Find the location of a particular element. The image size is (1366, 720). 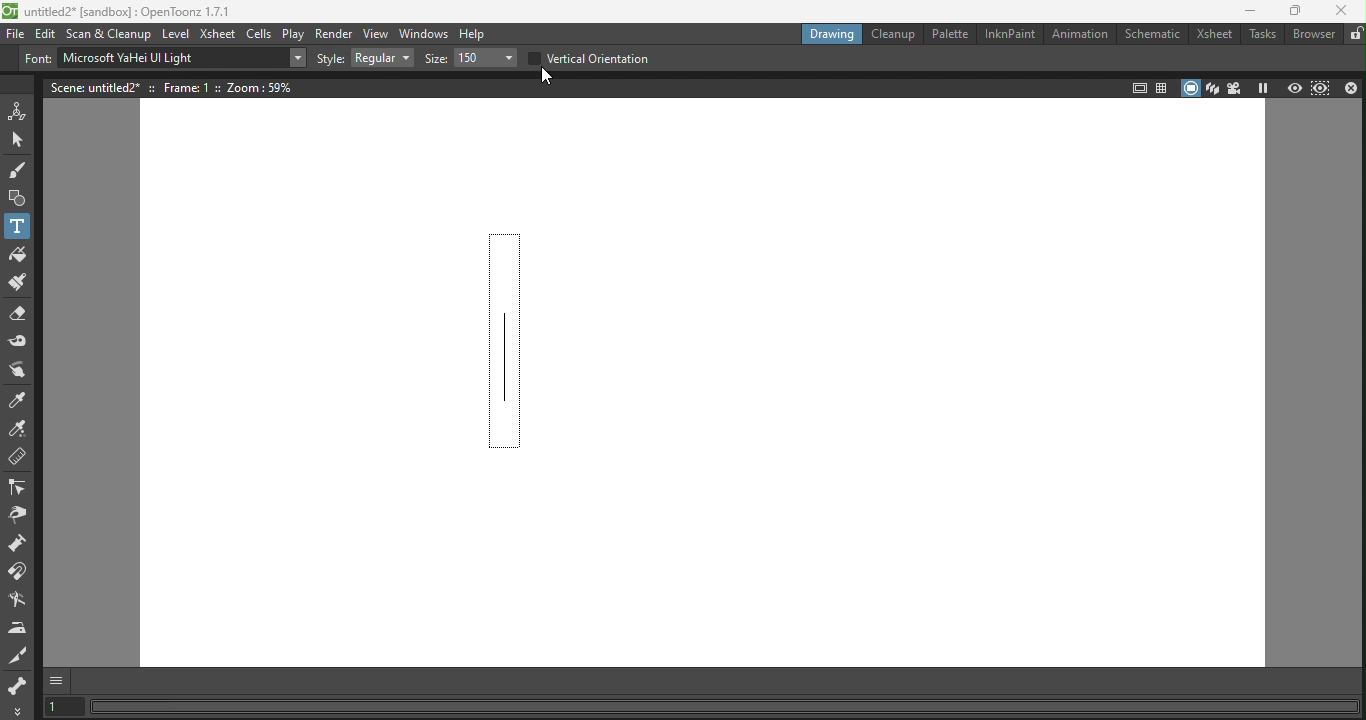

Close is located at coordinates (1351, 88).